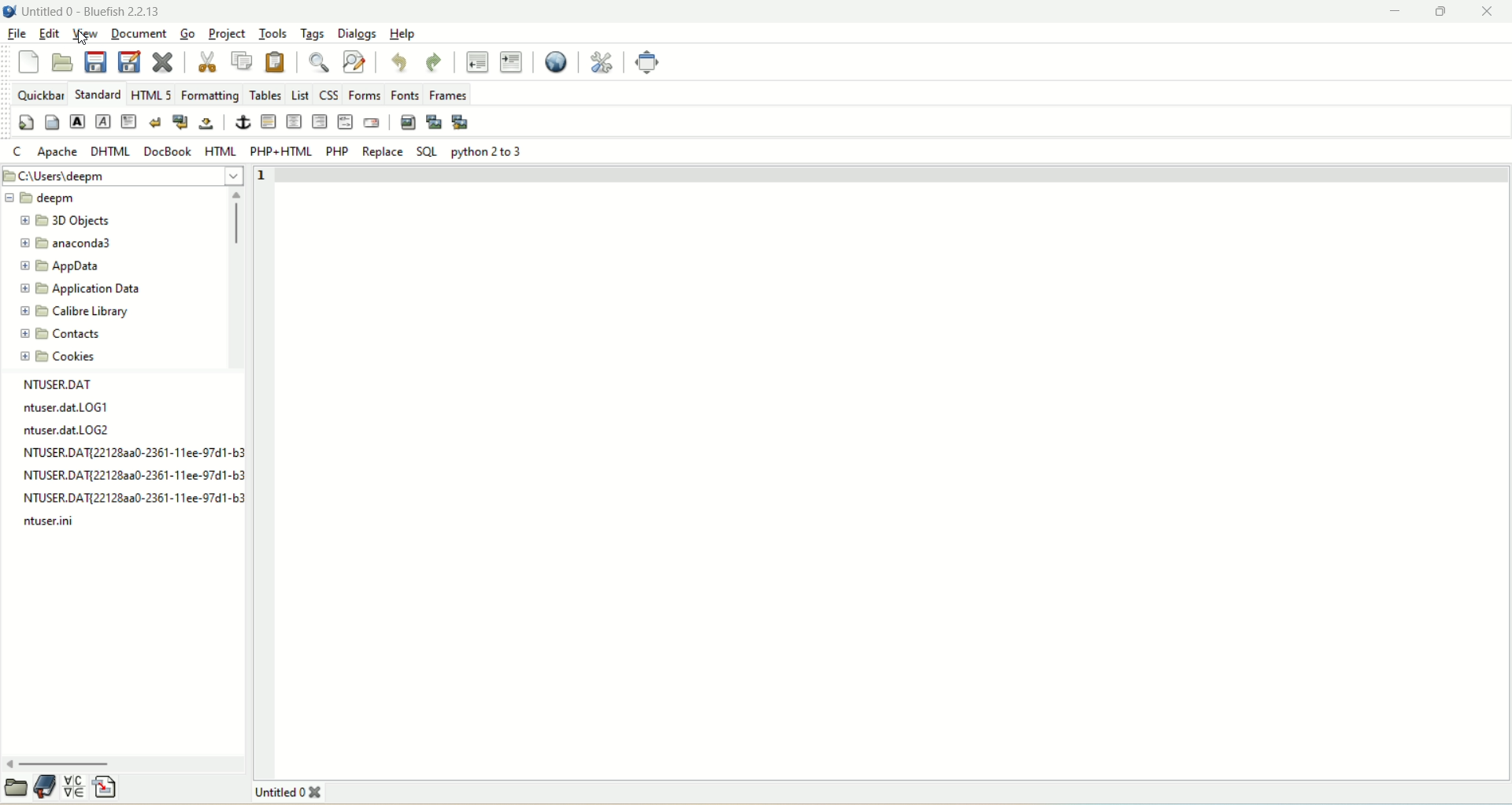  Describe the element at coordinates (356, 33) in the screenshot. I see `dialogs` at that location.